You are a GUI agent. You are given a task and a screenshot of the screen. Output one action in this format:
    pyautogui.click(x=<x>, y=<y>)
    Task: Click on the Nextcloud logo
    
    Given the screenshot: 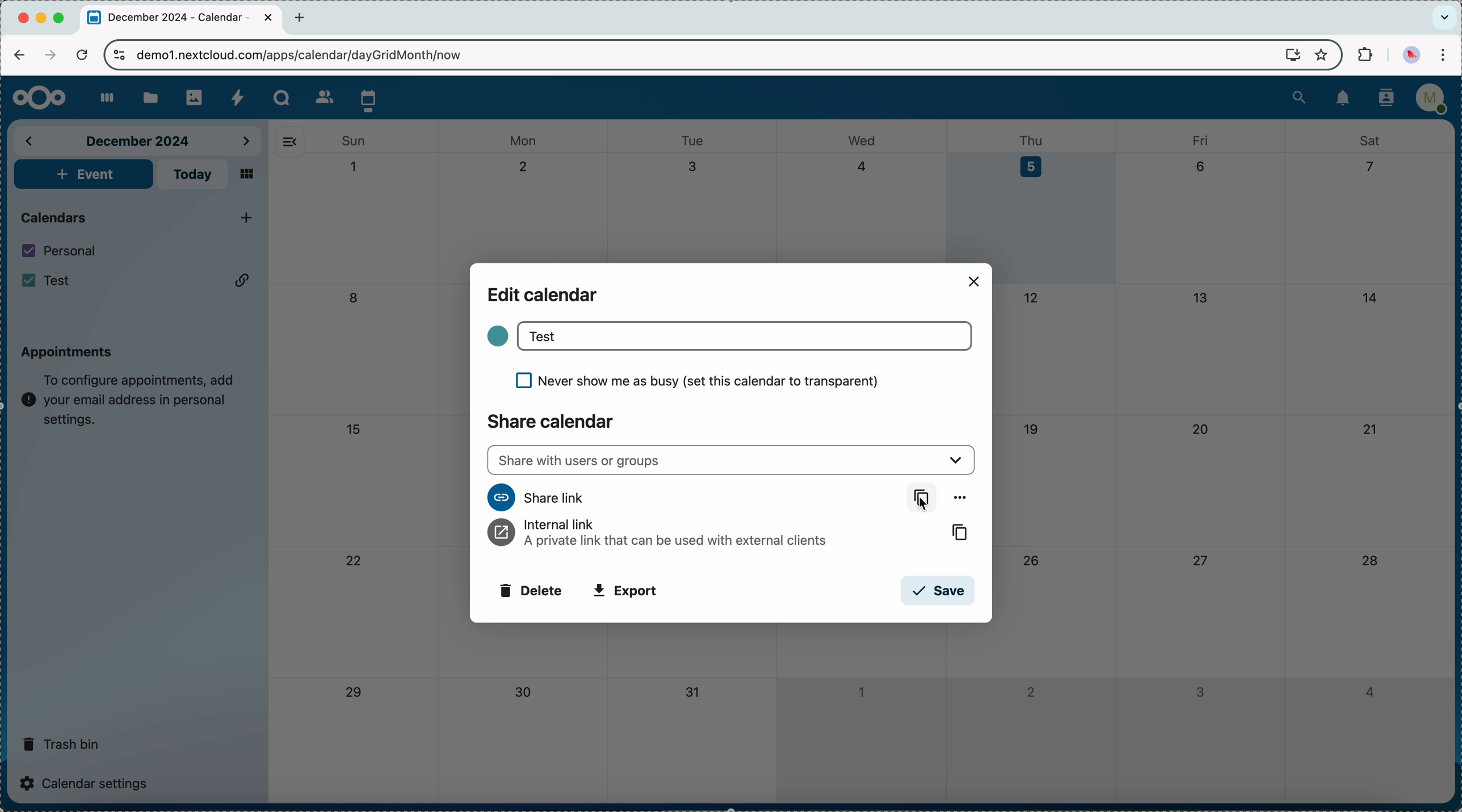 What is the action you would take?
    pyautogui.click(x=35, y=98)
    